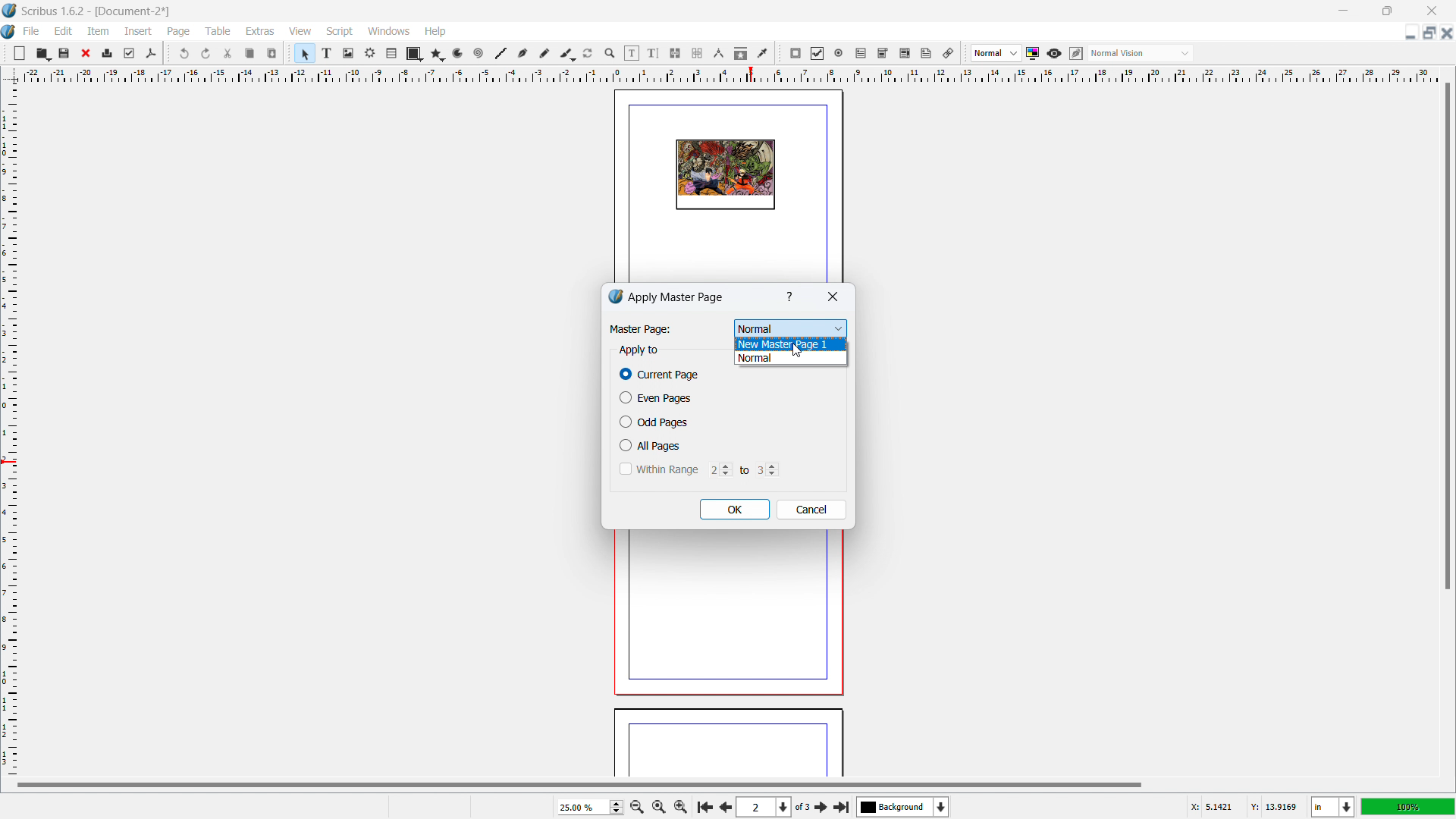  Describe the element at coordinates (652, 445) in the screenshot. I see `all pages checkbox` at that location.